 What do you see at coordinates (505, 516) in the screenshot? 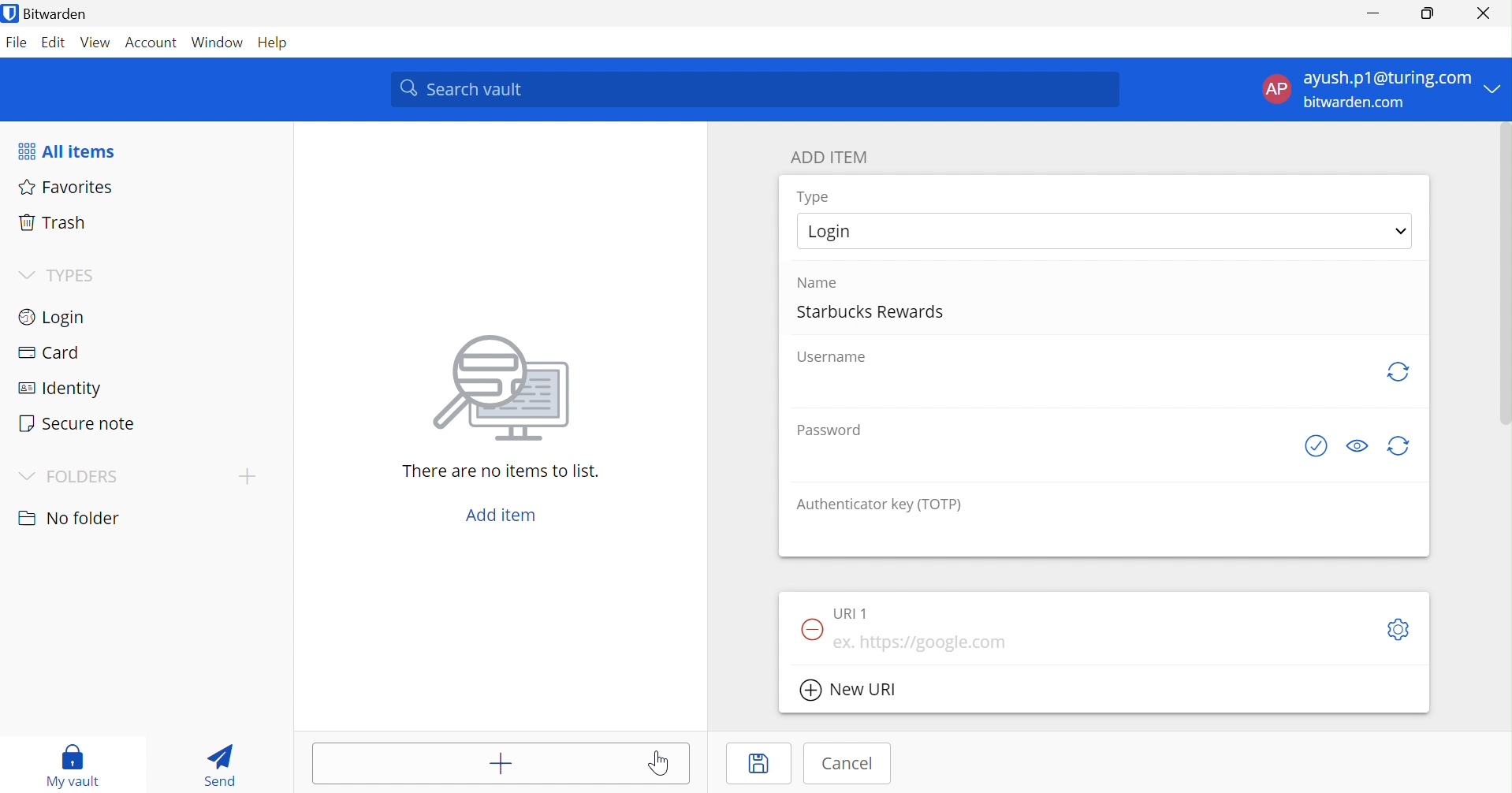
I see `Add item` at bounding box center [505, 516].